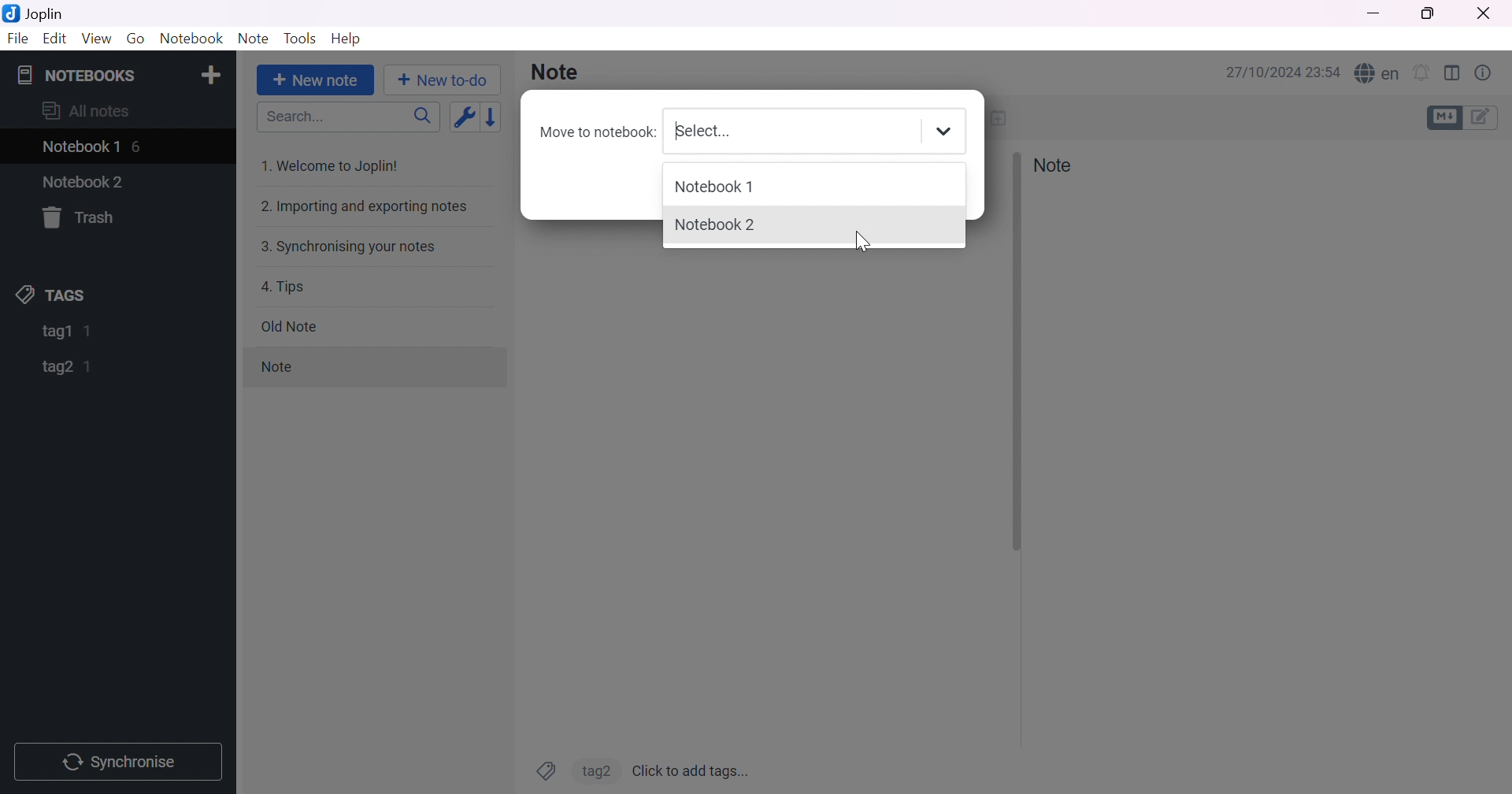 The image size is (1512, 794). I want to click on Note properties, so click(1488, 72).